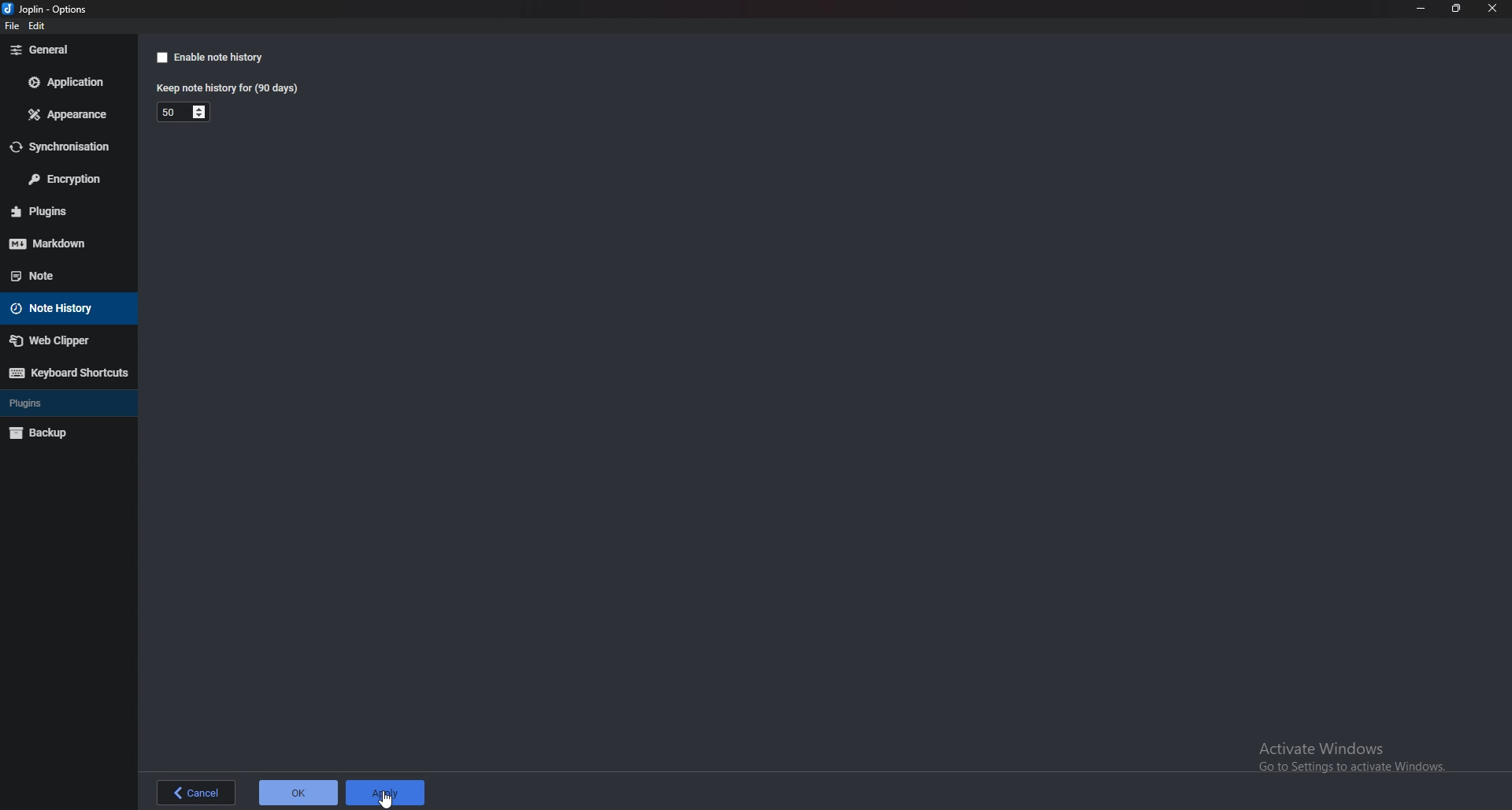  I want to click on minimize, so click(1421, 9).